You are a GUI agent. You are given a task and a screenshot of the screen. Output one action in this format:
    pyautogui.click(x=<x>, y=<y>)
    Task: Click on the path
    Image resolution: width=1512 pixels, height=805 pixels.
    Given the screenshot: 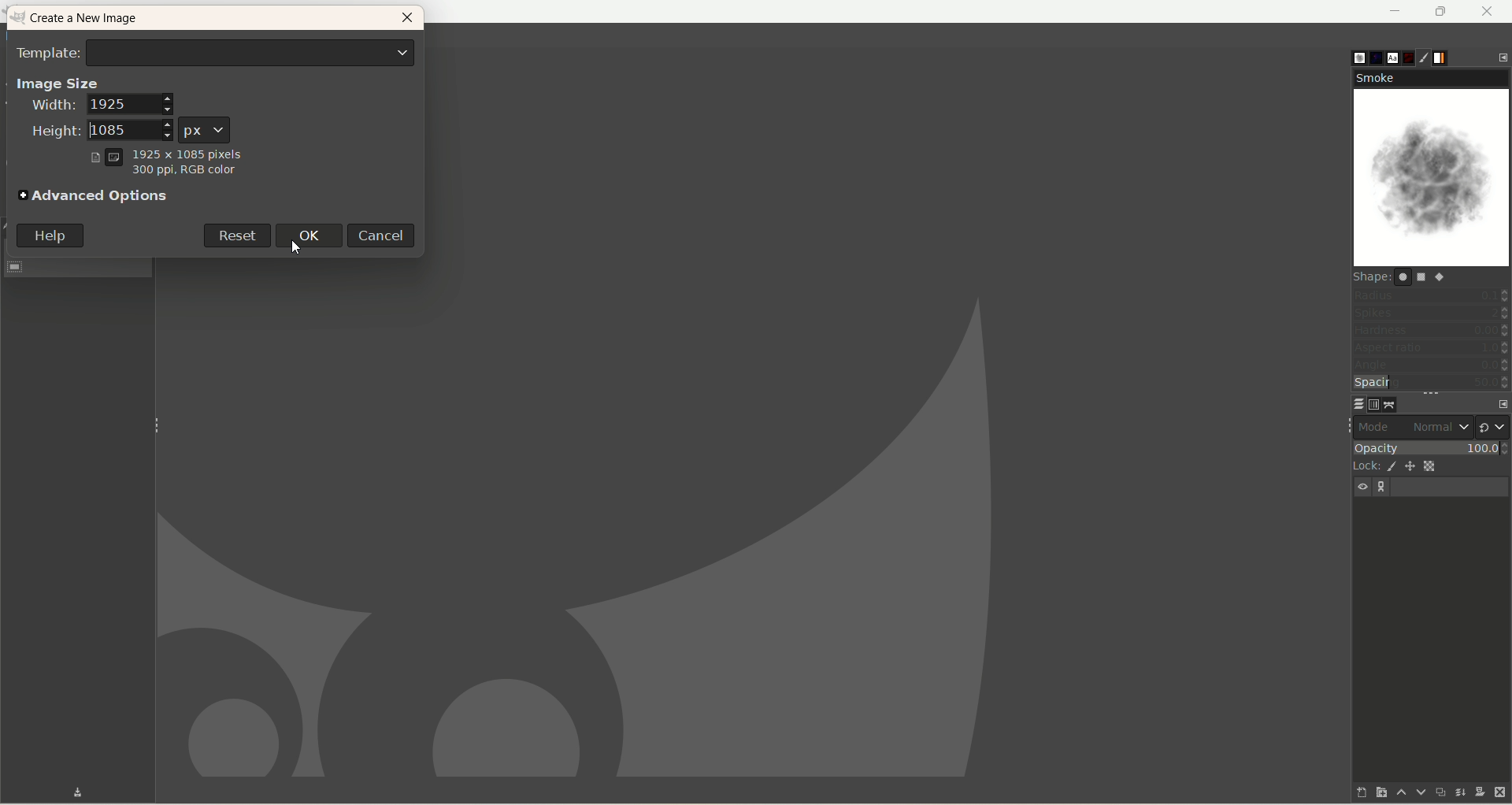 What is the action you would take?
    pyautogui.click(x=1391, y=404)
    